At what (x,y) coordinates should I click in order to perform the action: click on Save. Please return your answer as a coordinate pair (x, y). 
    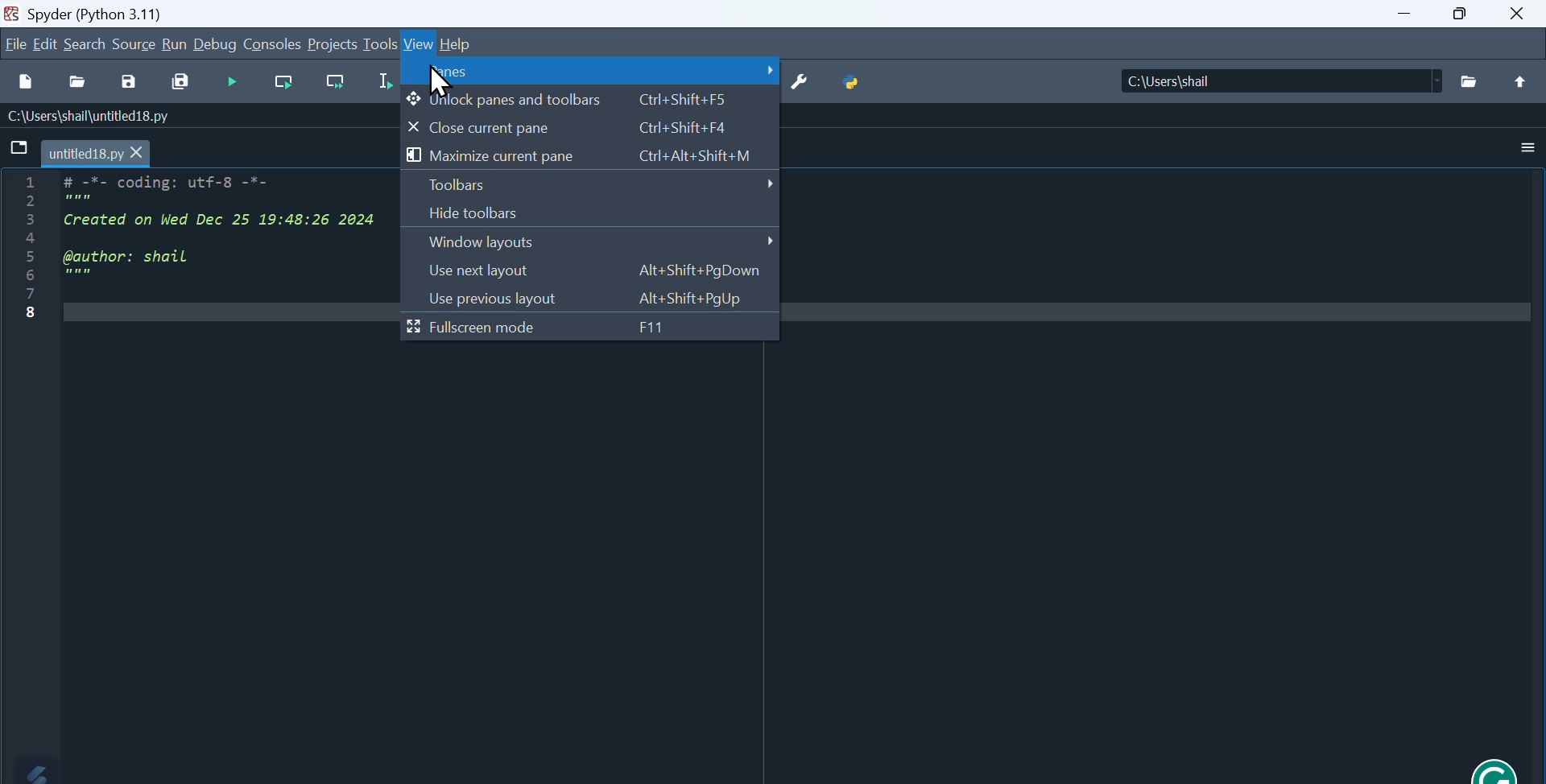
    Looking at the image, I should click on (130, 81).